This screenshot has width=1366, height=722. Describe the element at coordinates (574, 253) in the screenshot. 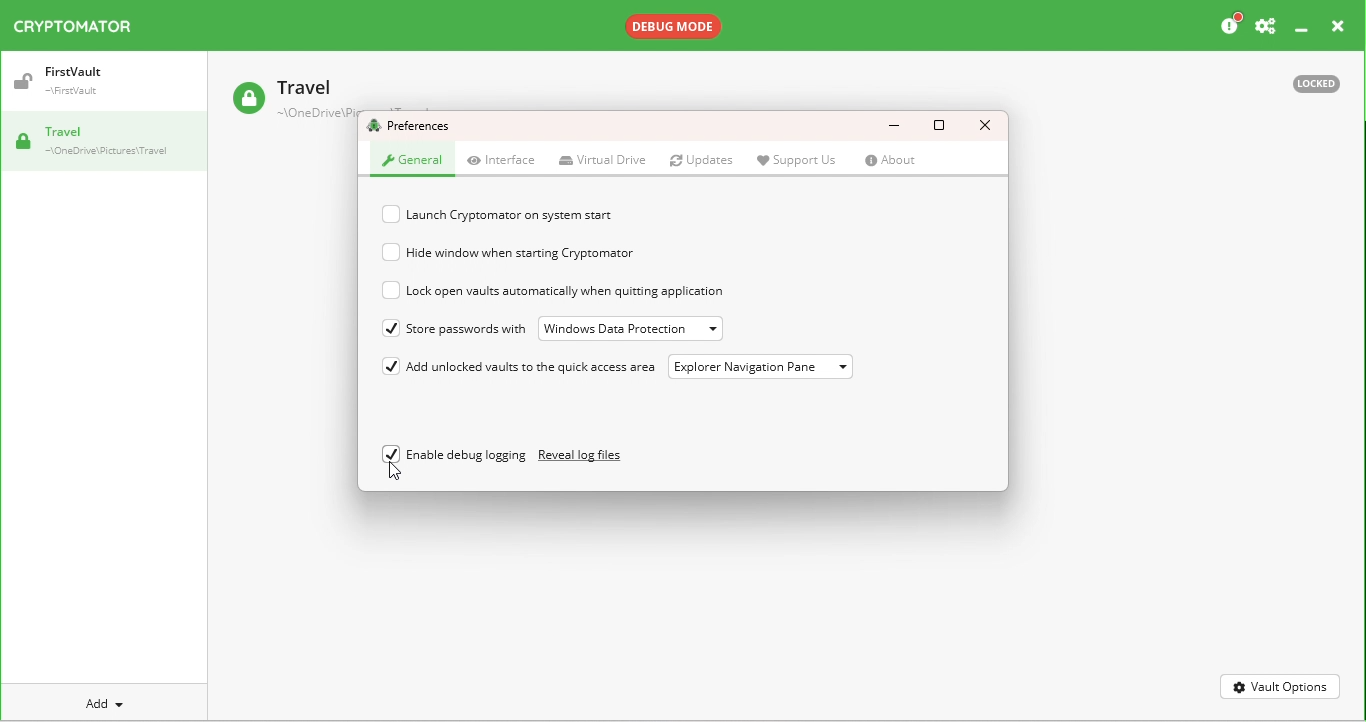

I see `Hide window when starting Cryptomator` at that location.